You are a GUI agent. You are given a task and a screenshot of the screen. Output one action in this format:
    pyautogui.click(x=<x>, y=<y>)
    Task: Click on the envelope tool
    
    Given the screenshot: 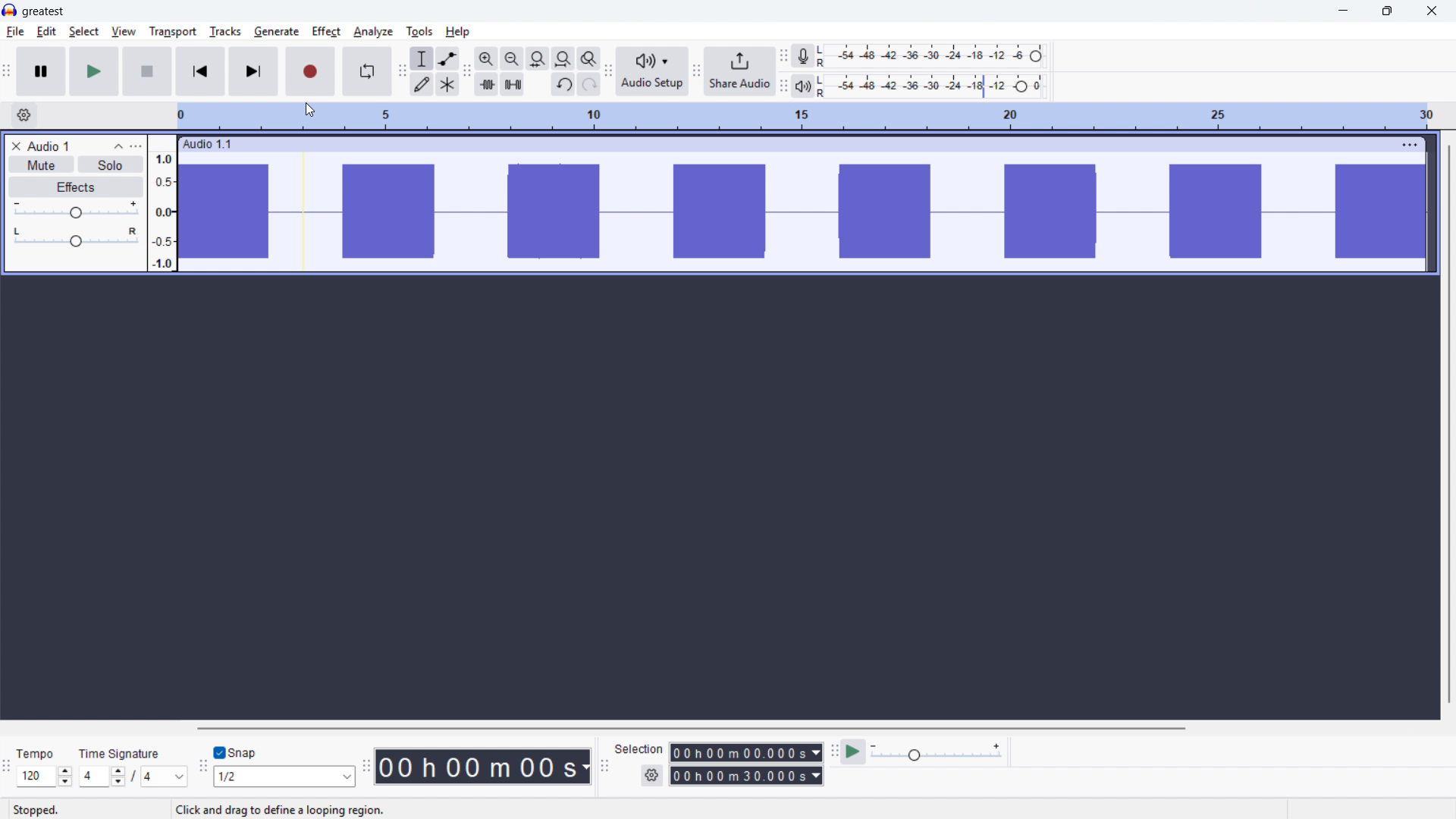 What is the action you would take?
    pyautogui.click(x=448, y=58)
    